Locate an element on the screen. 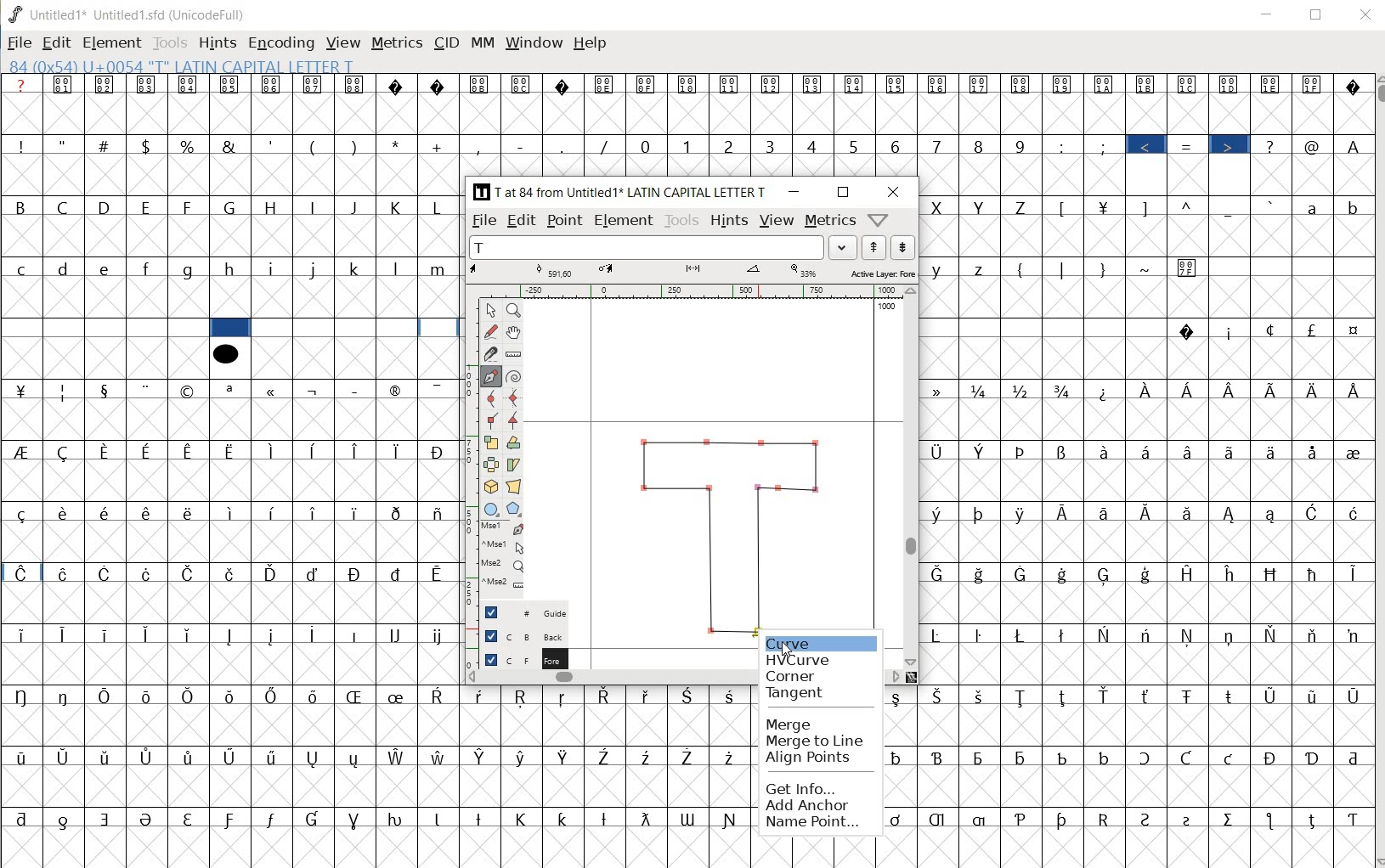  Symbol is located at coordinates (399, 817).